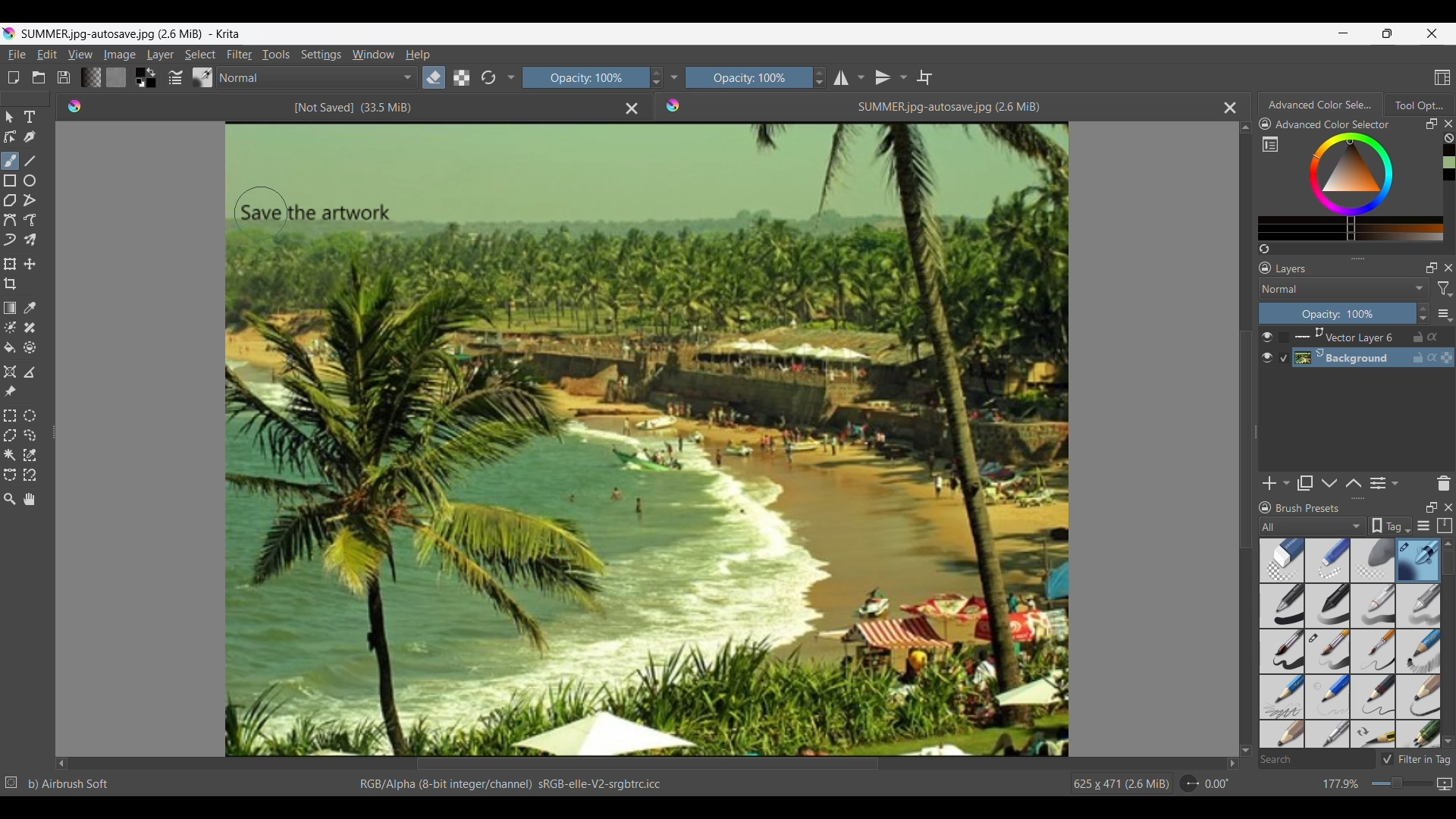 This screenshot has width=1456, height=819. I want to click on Delete panel, so click(1443, 483).